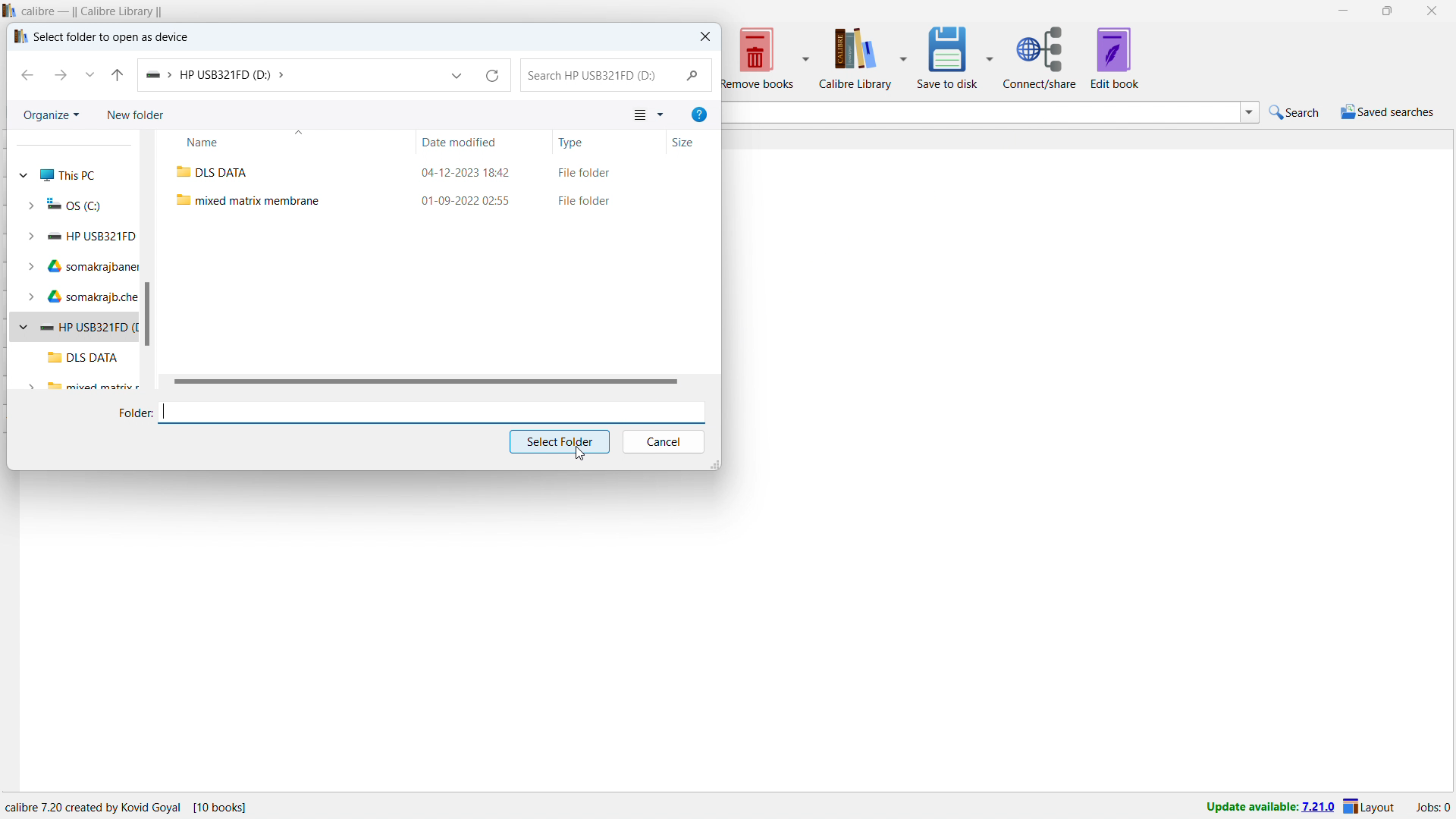  I want to click on layout, so click(1371, 808).